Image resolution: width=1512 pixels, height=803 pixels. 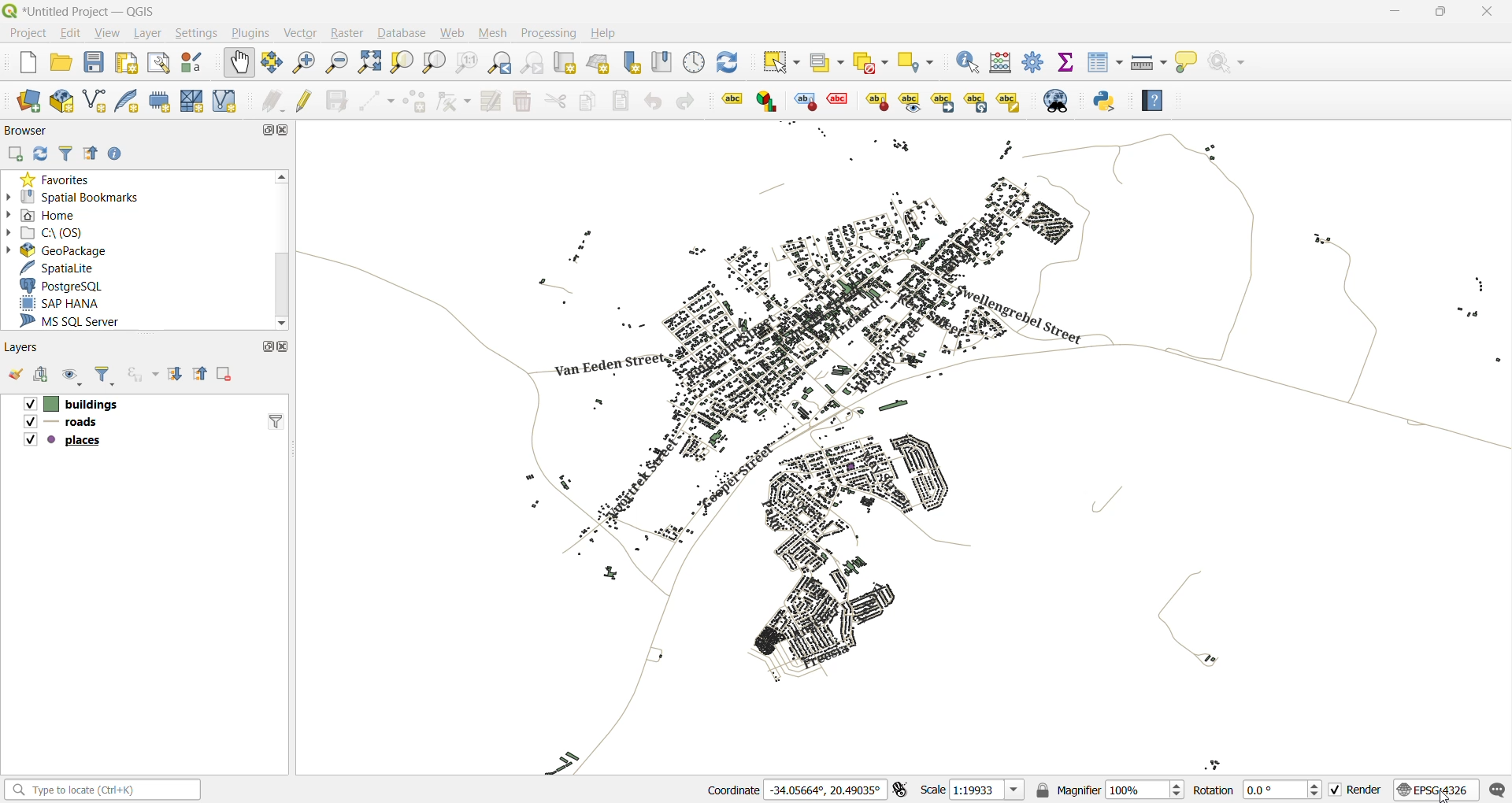 I want to click on database, so click(x=401, y=34).